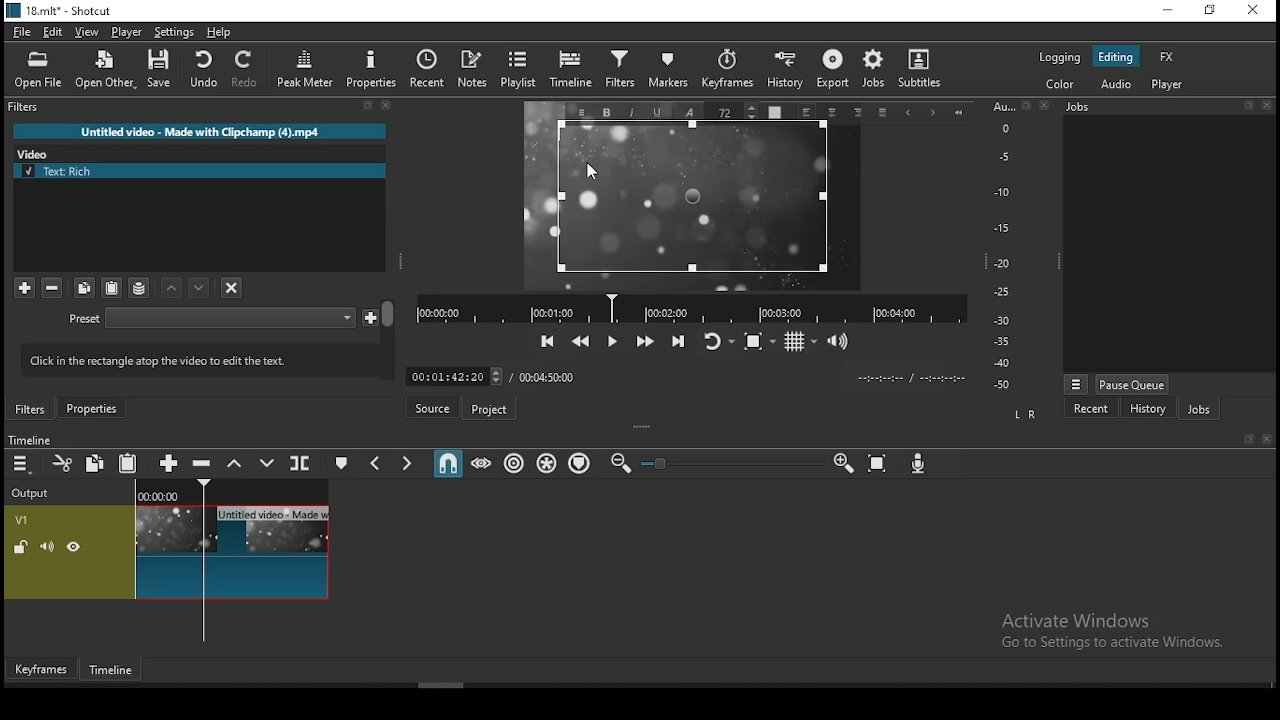  What do you see at coordinates (31, 409) in the screenshot?
I see `filters` at bounding box center [31, 409].